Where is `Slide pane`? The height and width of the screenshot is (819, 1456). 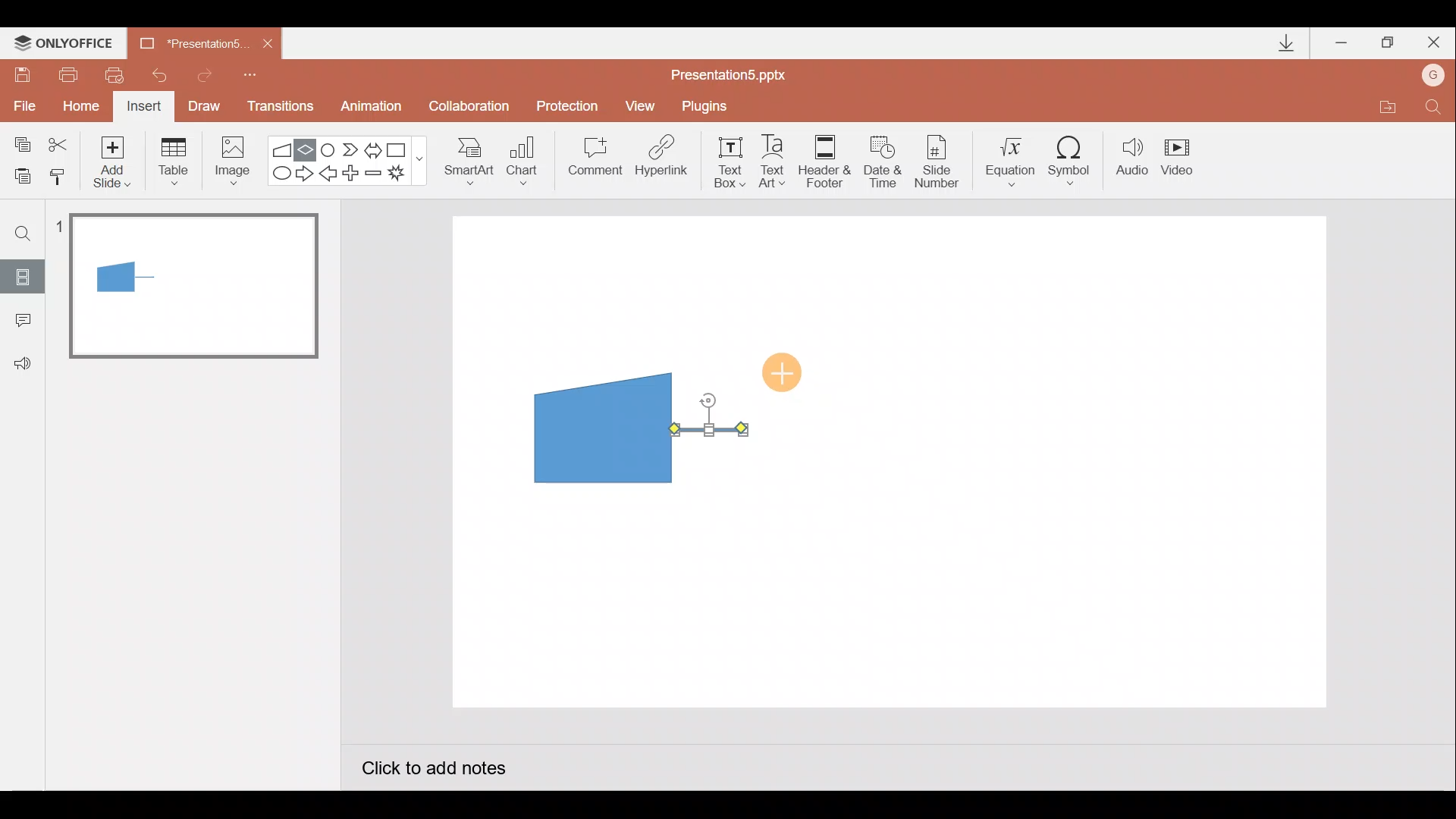 Slide pane is located at coordinates (196, 439).